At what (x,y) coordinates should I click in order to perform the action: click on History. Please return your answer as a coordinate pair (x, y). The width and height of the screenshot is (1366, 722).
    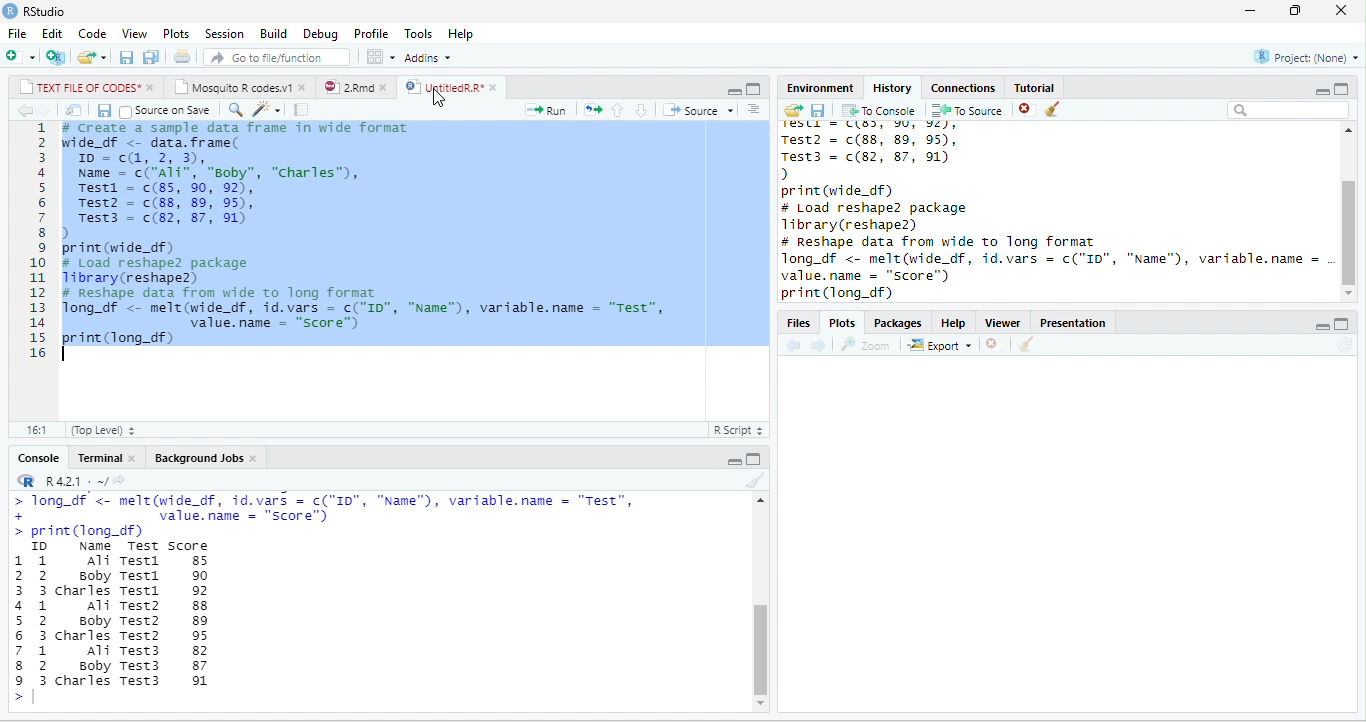
    Looking at the image, I should click on (892, 88).